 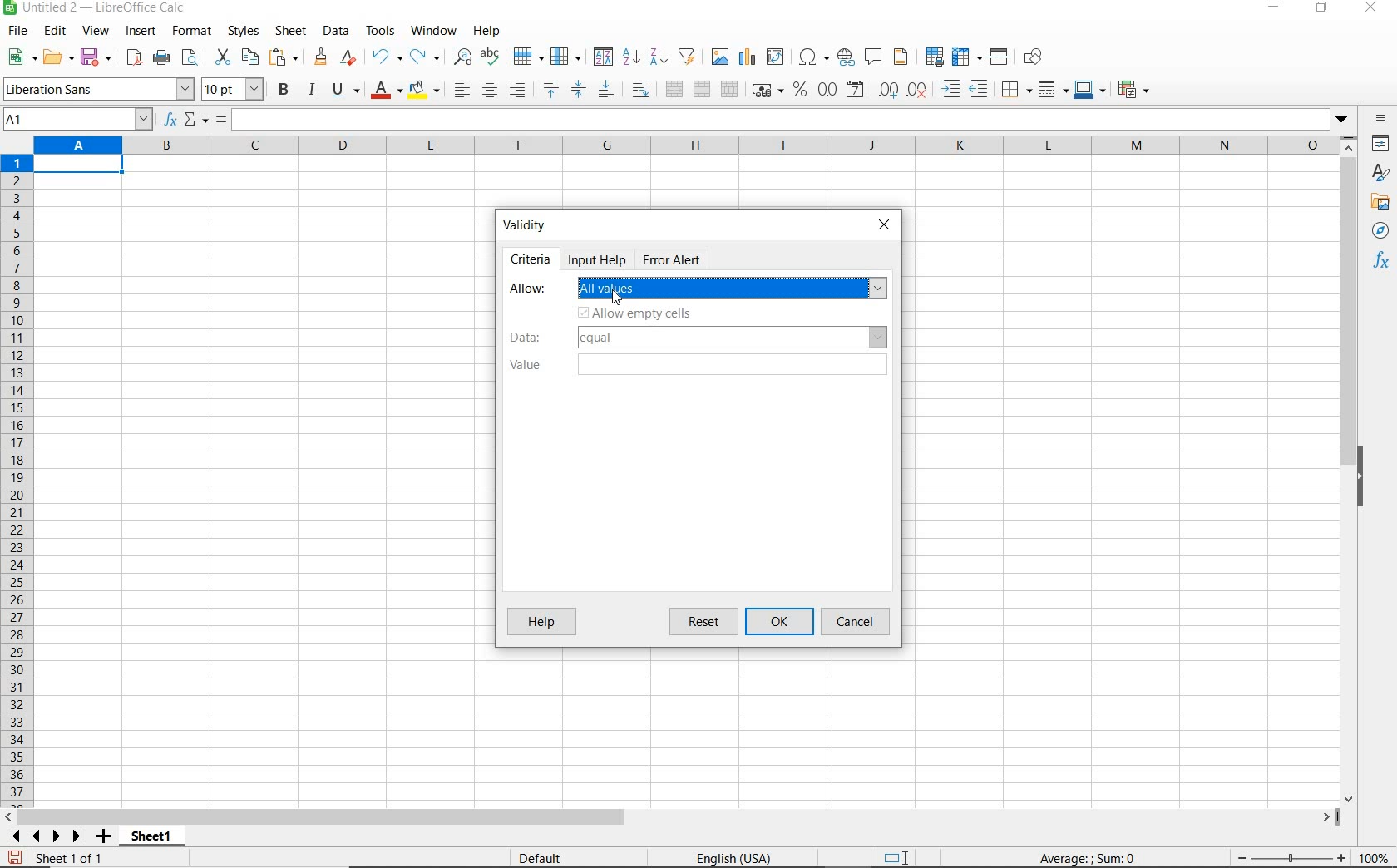 What do you see at coordinates (15, 33) in the screenshot?
I see `file` at bounding box center [15, 33].